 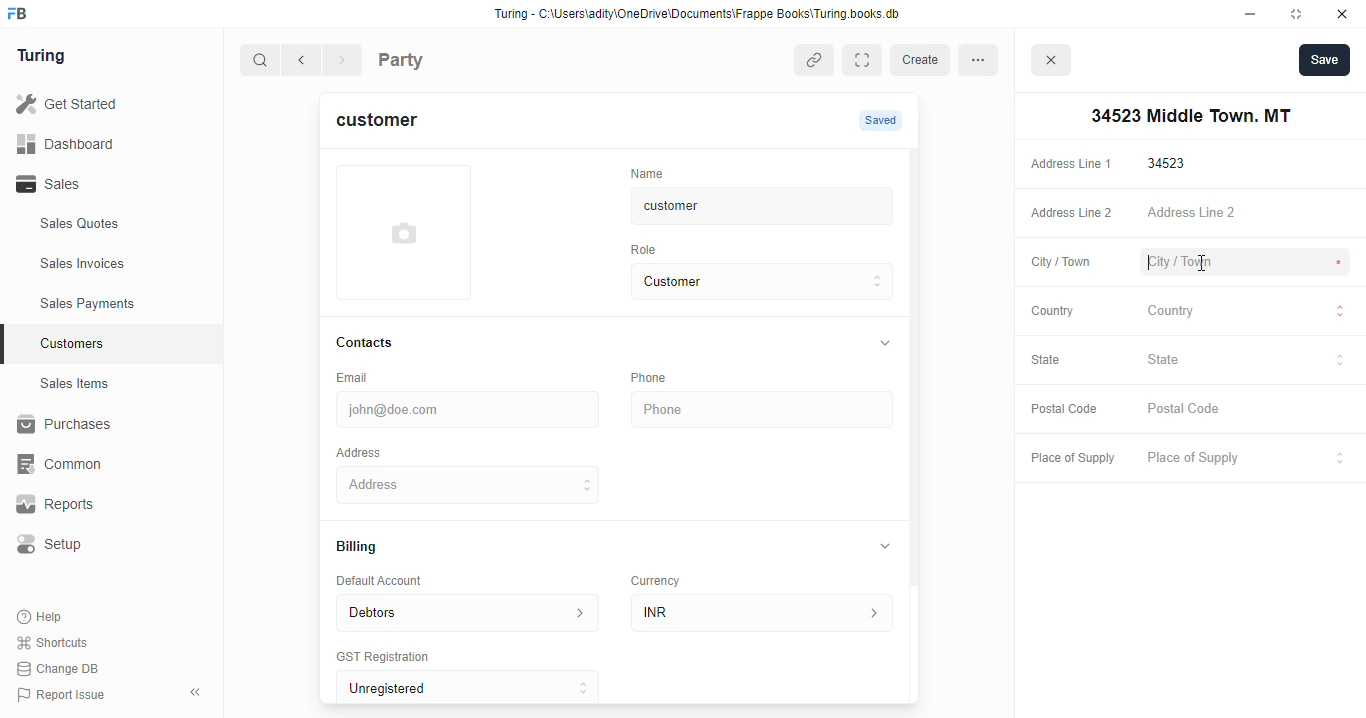 What do you see at coordinates (58, 643) in the screenshot?
I see `Shortcuts` at bounding box center [58, 643].